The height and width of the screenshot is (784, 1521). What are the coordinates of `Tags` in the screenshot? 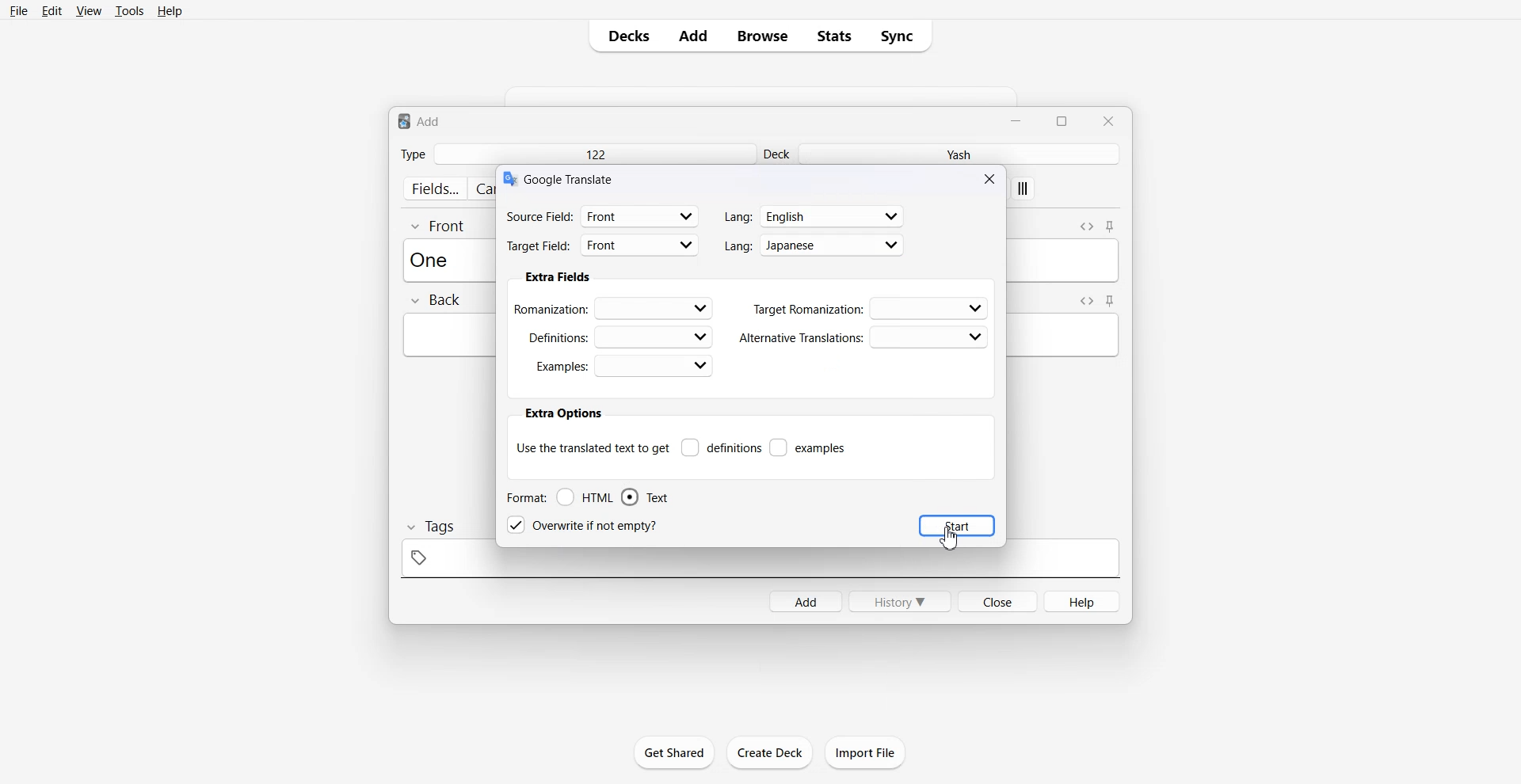 It's located at (429, 527).